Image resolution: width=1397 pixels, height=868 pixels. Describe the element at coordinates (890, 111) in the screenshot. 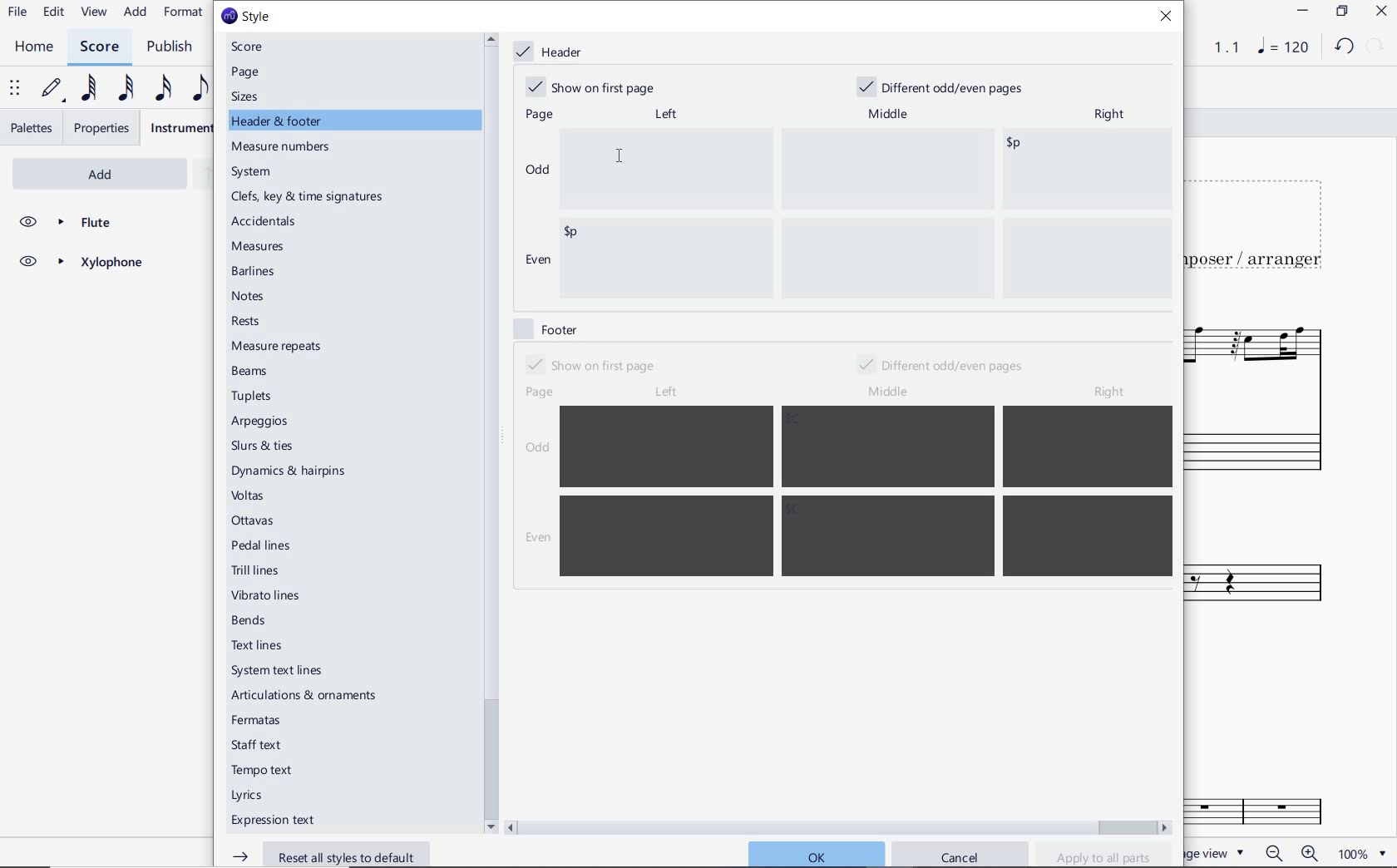

I see `middle` at that location.